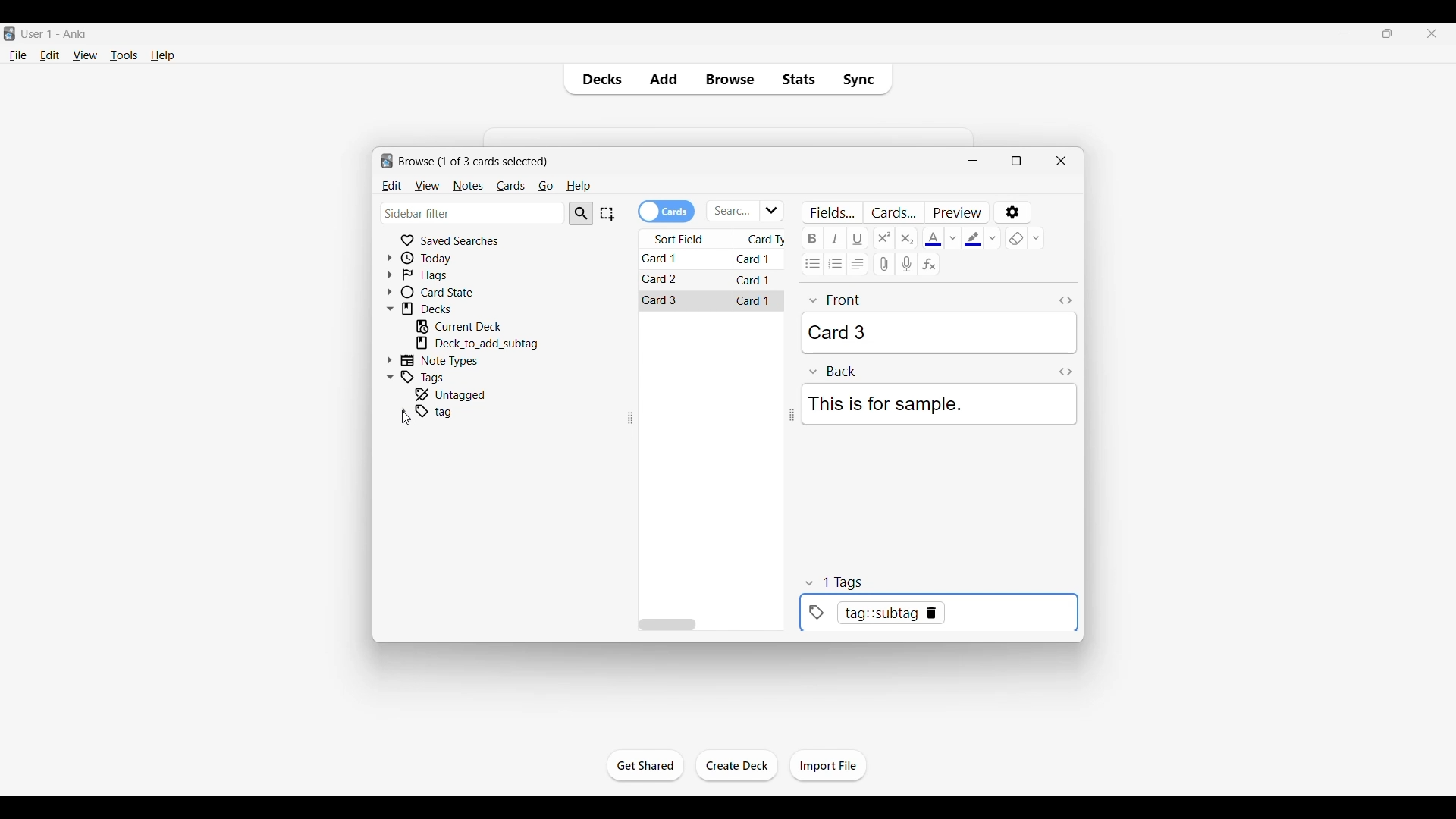  Describe the element at coordinates (666, 260) in the screenshot. I see `Card 1` at that location.